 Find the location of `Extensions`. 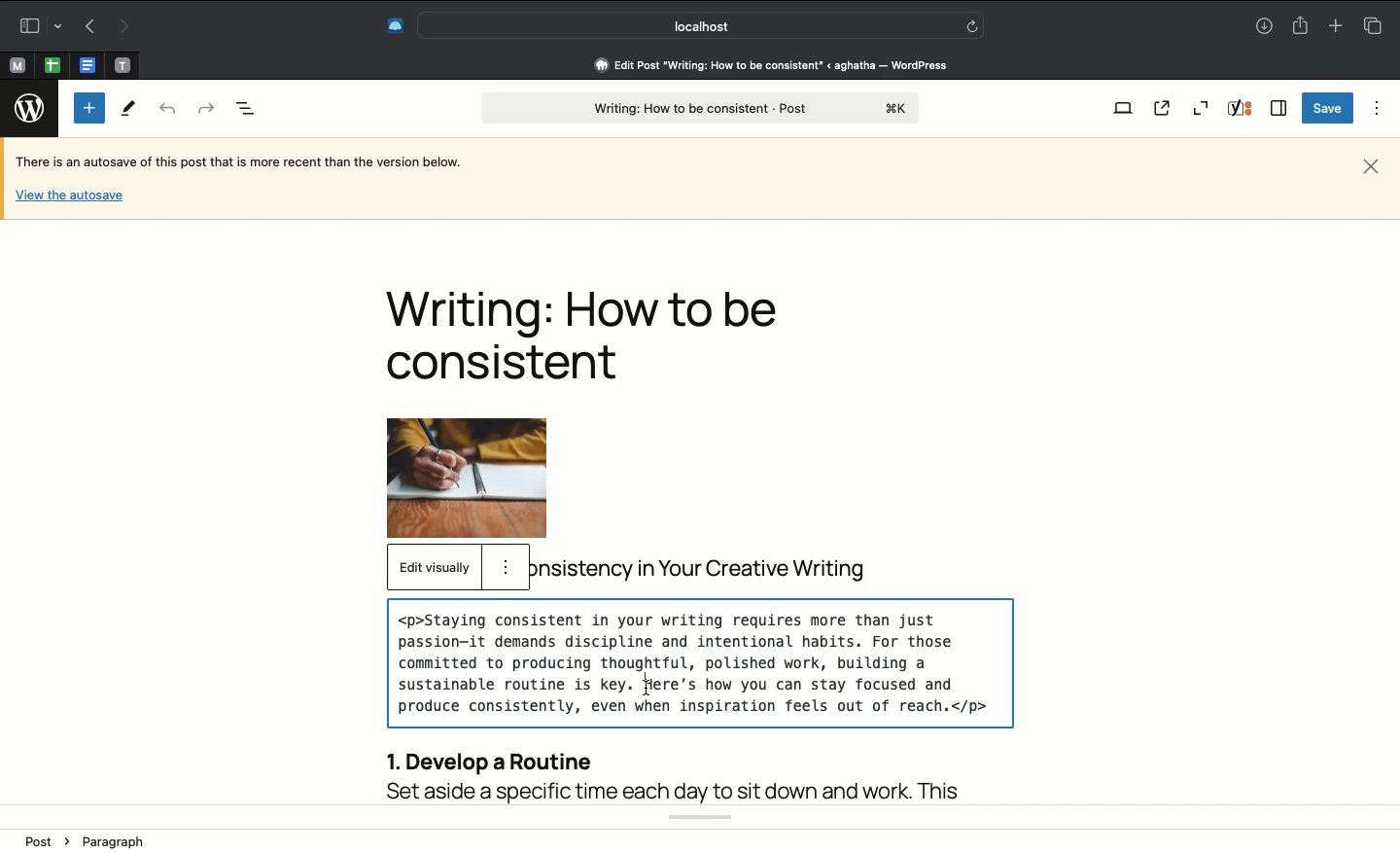

Extensions is located at coordinates (394, 23).